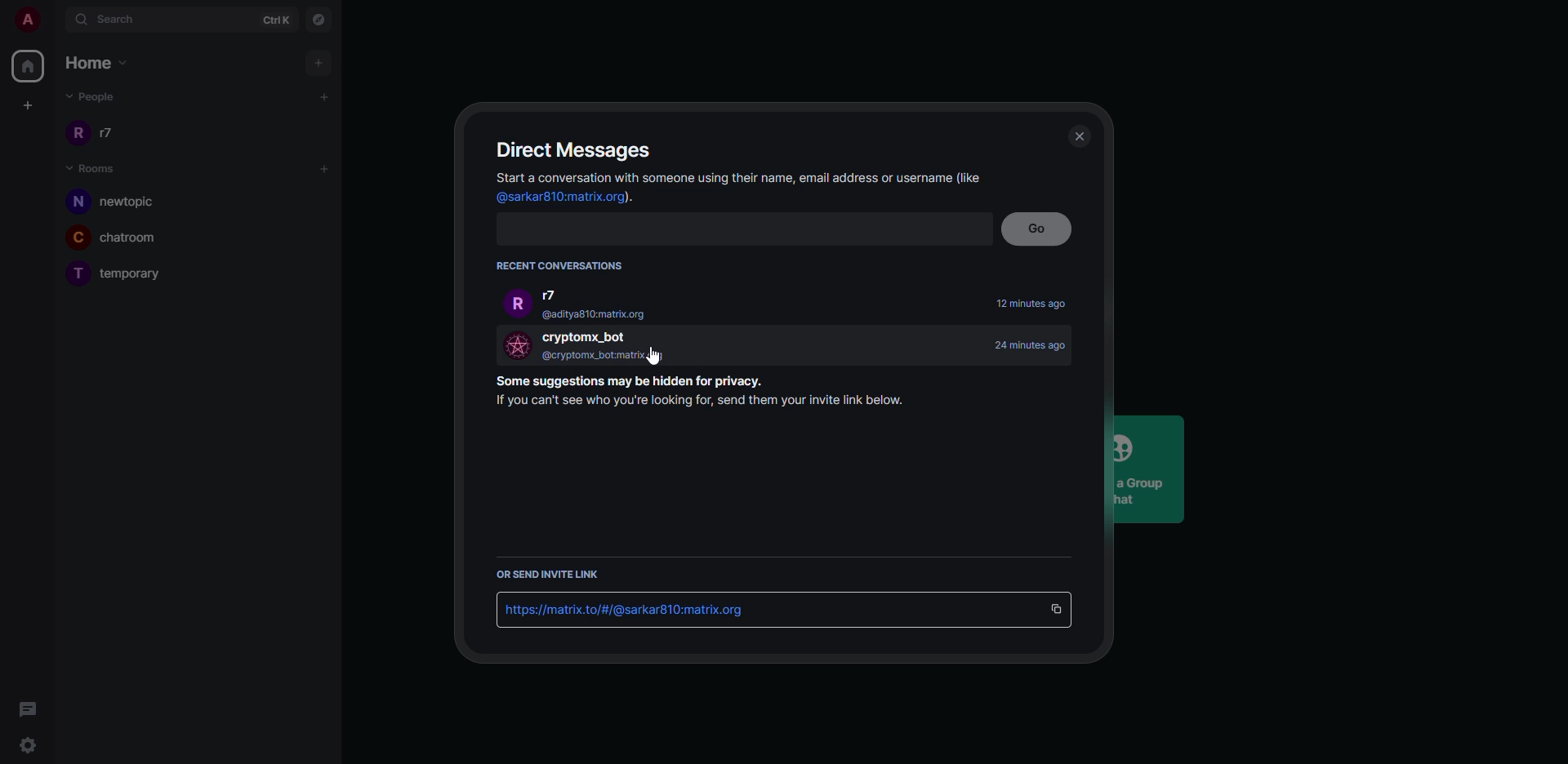 The image size is (1568, 764). I want to click on r, so click(78, 134).